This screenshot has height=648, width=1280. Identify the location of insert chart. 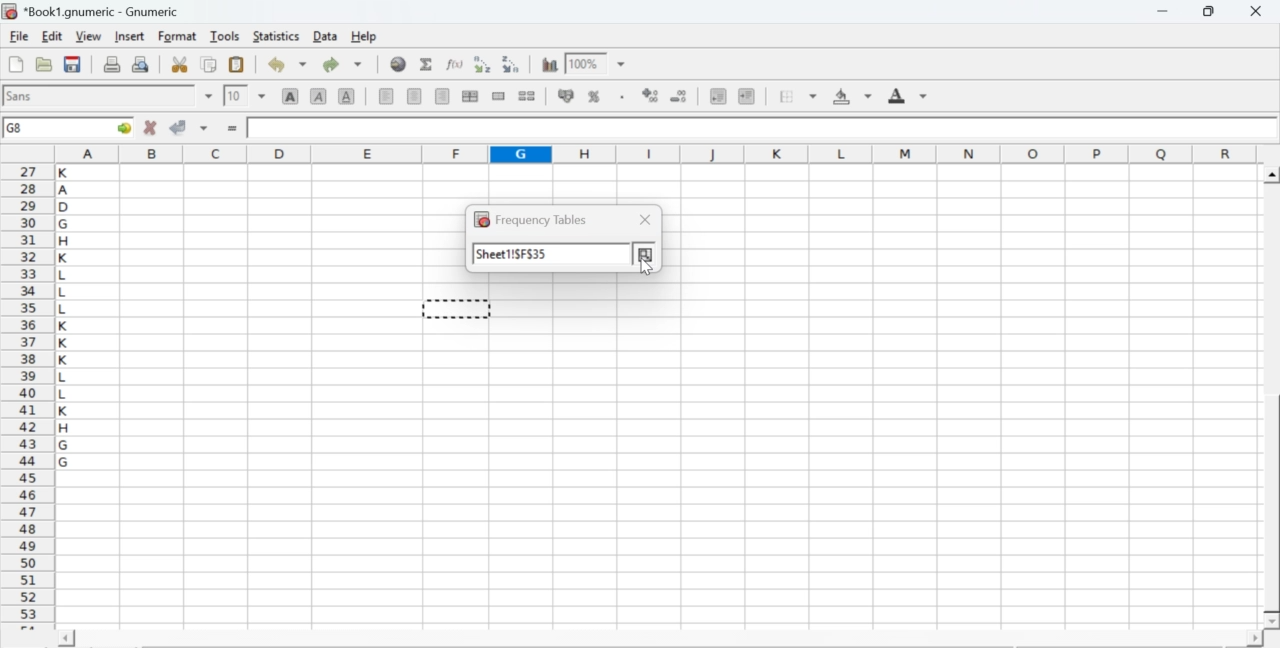
(550, 63).